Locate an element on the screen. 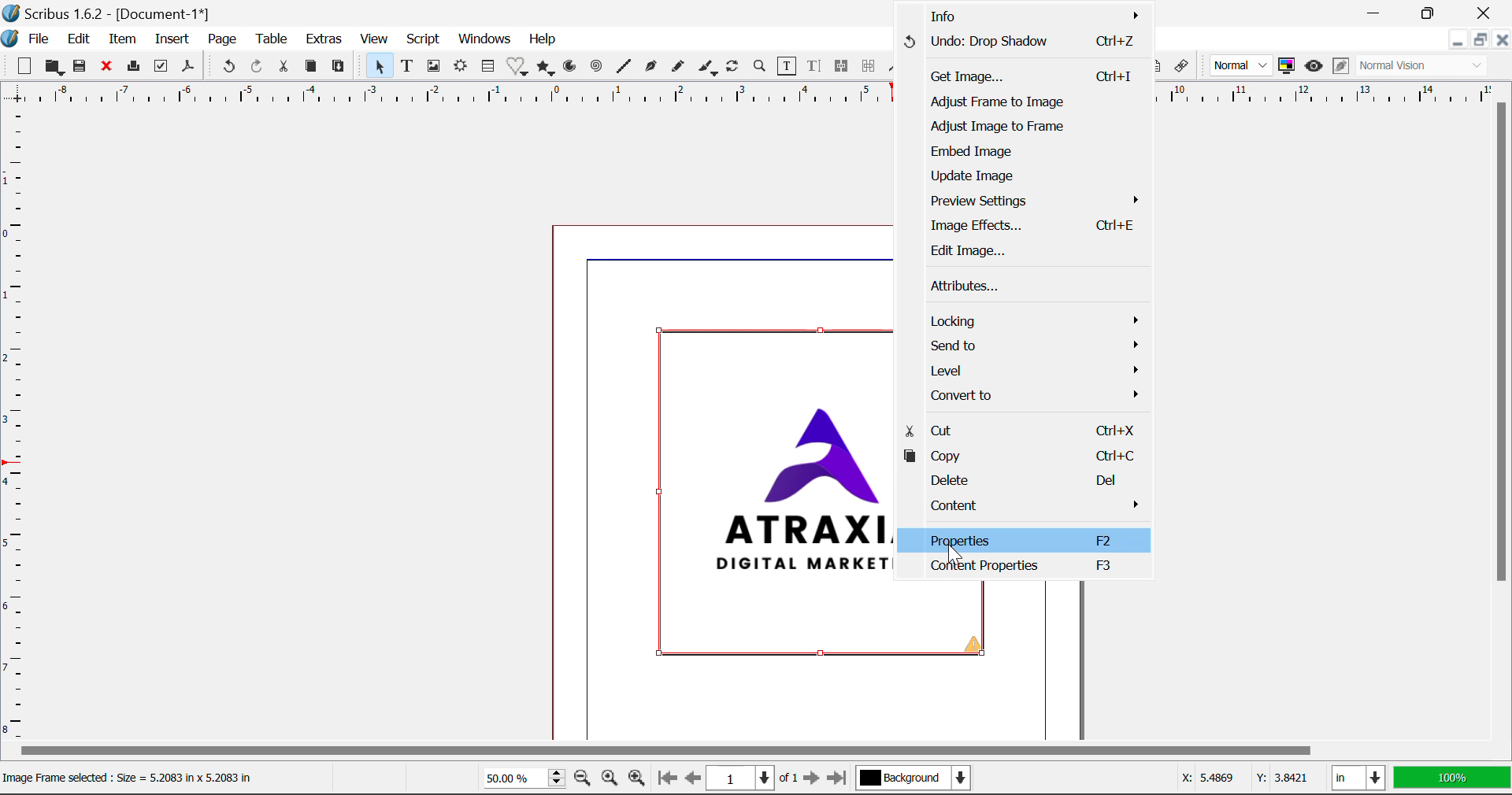 Image resolution: width=1512 pixels, height=795 pixels. Horizontal Scroll Bar is located at coordinates (736, 751).